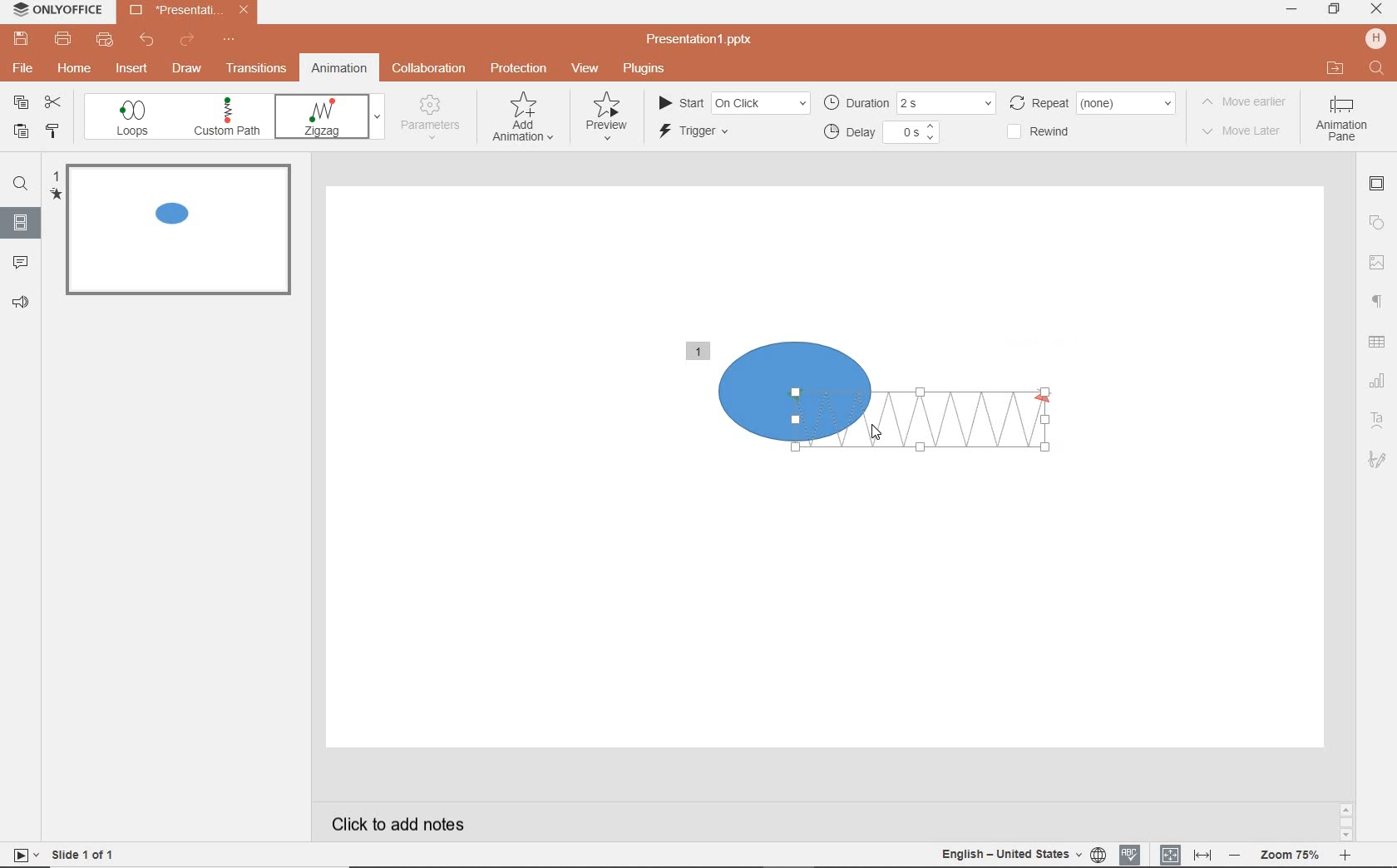 Image resolution: width=1397 pixels, height=868 pixels. What do you see at coordinates (1375, 9) in the screenshot?
I see `CLOSE` at bounding box center [1375, 9].